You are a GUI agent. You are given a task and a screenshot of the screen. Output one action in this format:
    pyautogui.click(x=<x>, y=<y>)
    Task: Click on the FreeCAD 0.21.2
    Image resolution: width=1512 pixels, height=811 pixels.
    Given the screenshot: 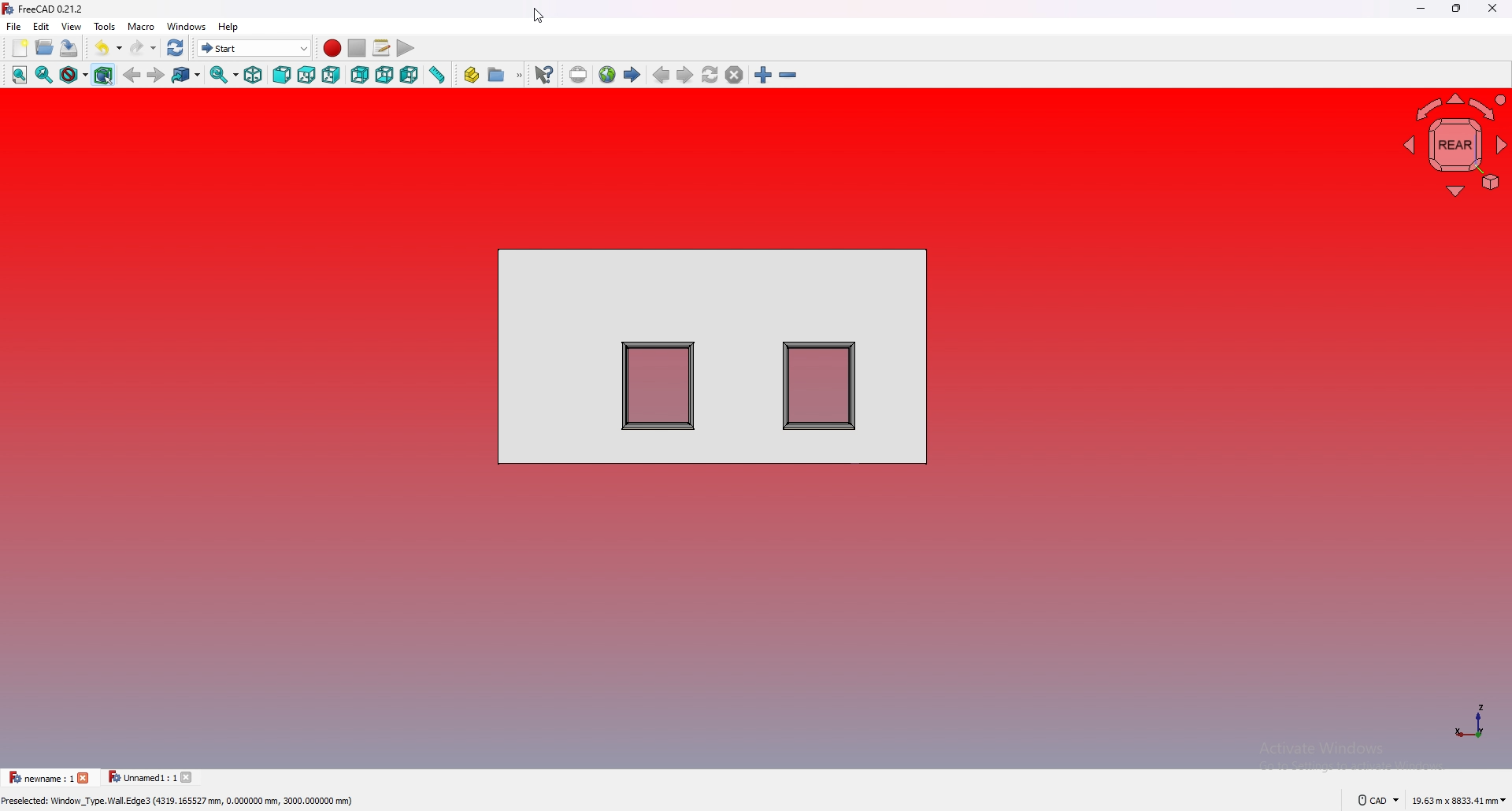 What is the action you would take?
    pyautogui.click(x=53, y=9)
    